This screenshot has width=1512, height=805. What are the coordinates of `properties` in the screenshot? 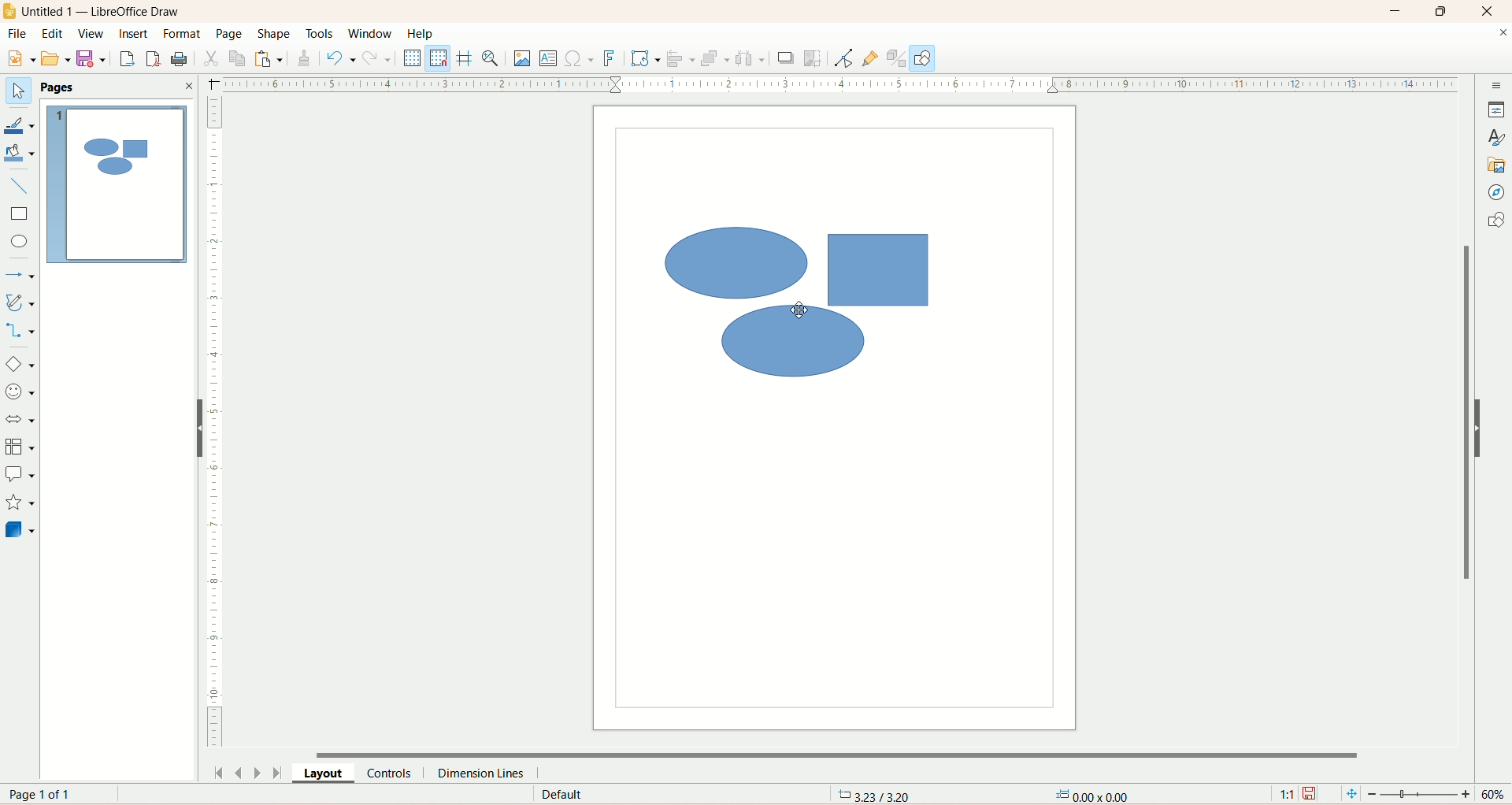 It's located at (1498, 109).